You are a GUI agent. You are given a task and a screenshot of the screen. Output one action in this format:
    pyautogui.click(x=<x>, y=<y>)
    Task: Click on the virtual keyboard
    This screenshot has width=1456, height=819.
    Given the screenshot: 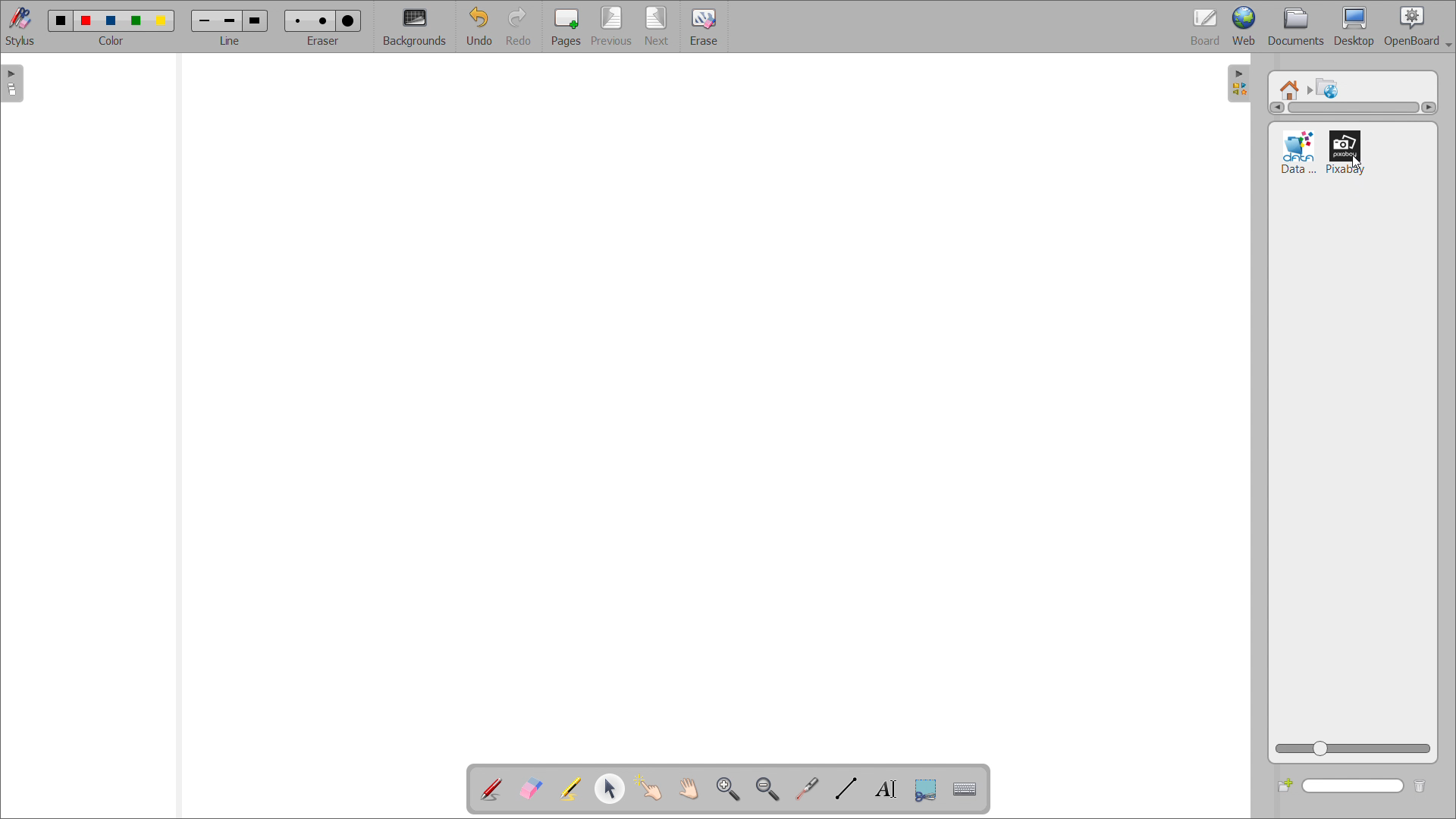 What is the action you would take?
    pyautogui.click(x=965, y=789)
    